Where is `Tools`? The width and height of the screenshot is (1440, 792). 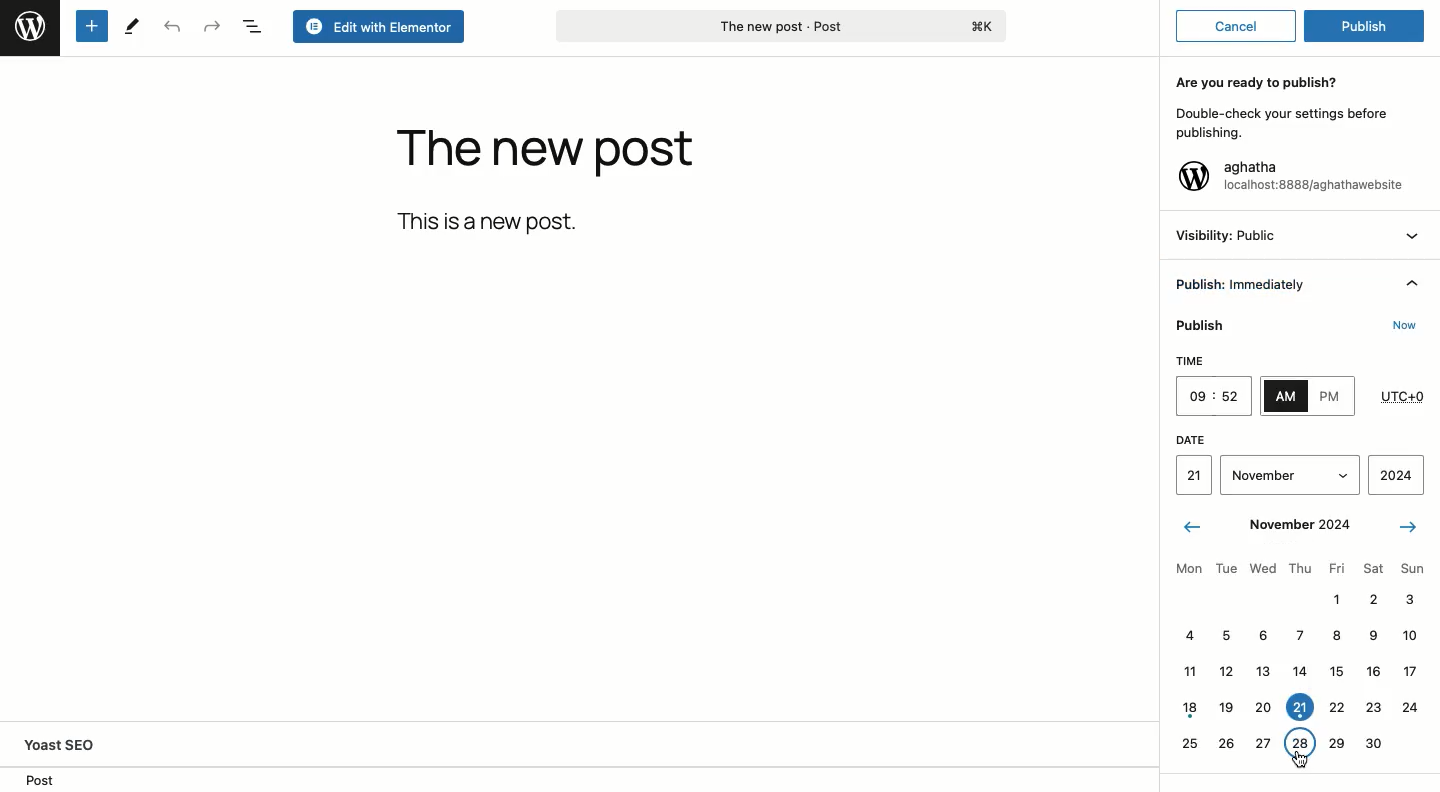
Tools is located at coordinates (132, 25).